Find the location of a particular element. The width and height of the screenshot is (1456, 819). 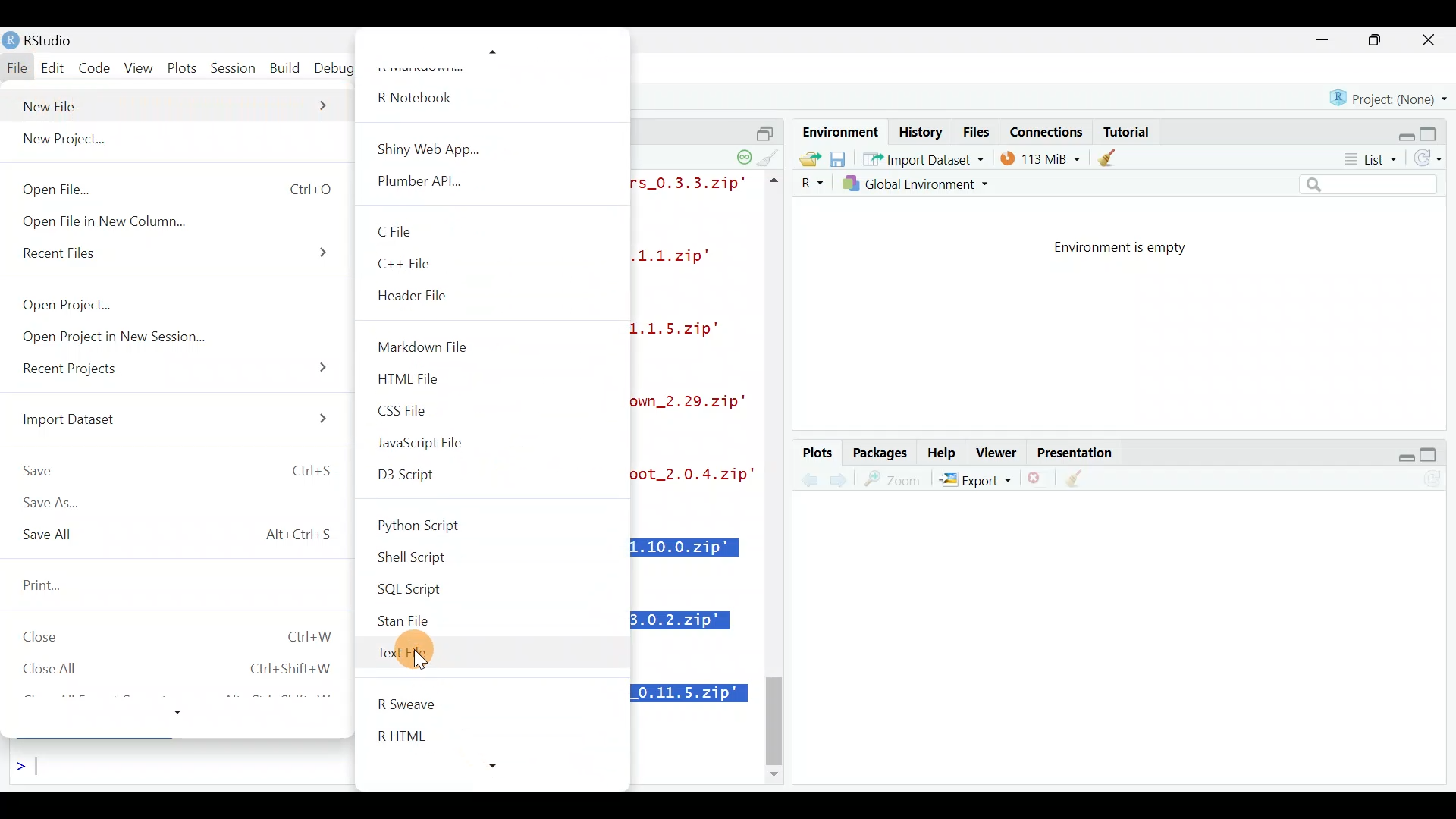

Print... is located at coordinates (62, 588).